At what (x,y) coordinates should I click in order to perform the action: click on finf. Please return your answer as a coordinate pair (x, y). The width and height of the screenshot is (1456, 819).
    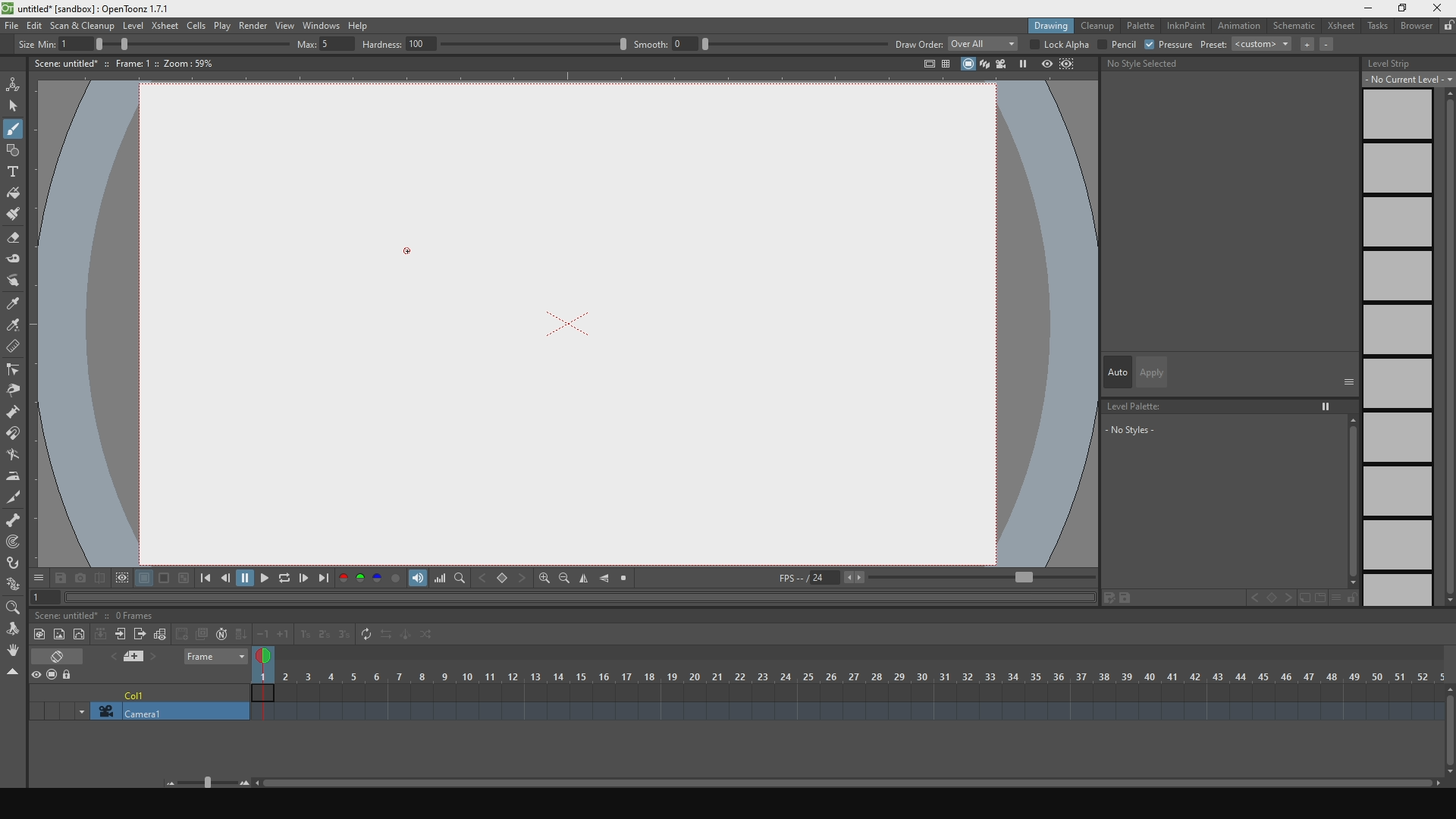
    Looking at the image, I should click on (461, 579).